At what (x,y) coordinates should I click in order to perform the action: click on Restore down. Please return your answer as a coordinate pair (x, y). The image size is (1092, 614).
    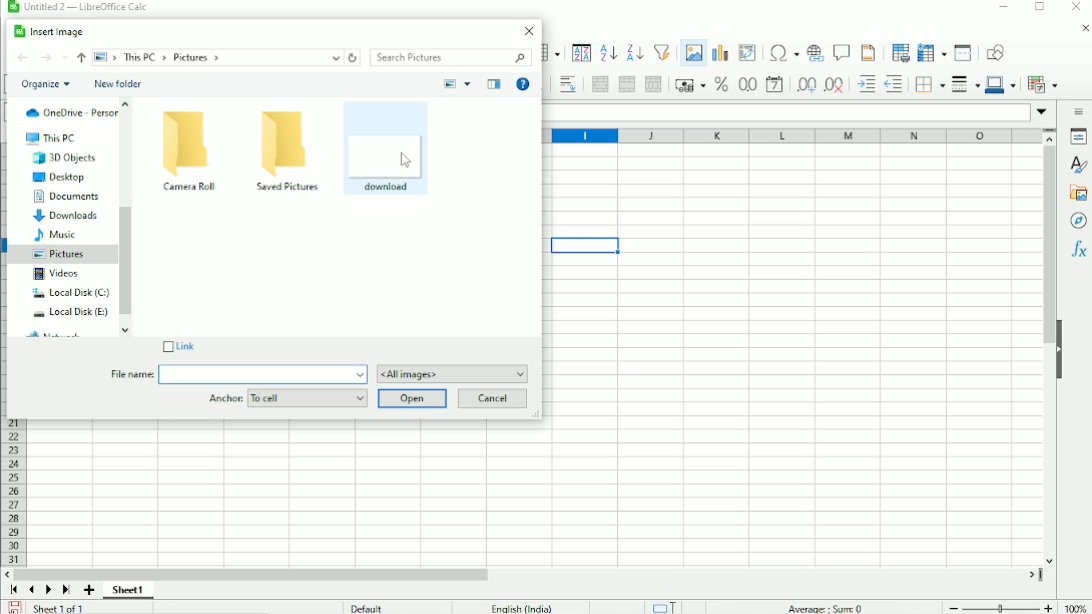
    Looking at the image, I should click on (1039, 8).